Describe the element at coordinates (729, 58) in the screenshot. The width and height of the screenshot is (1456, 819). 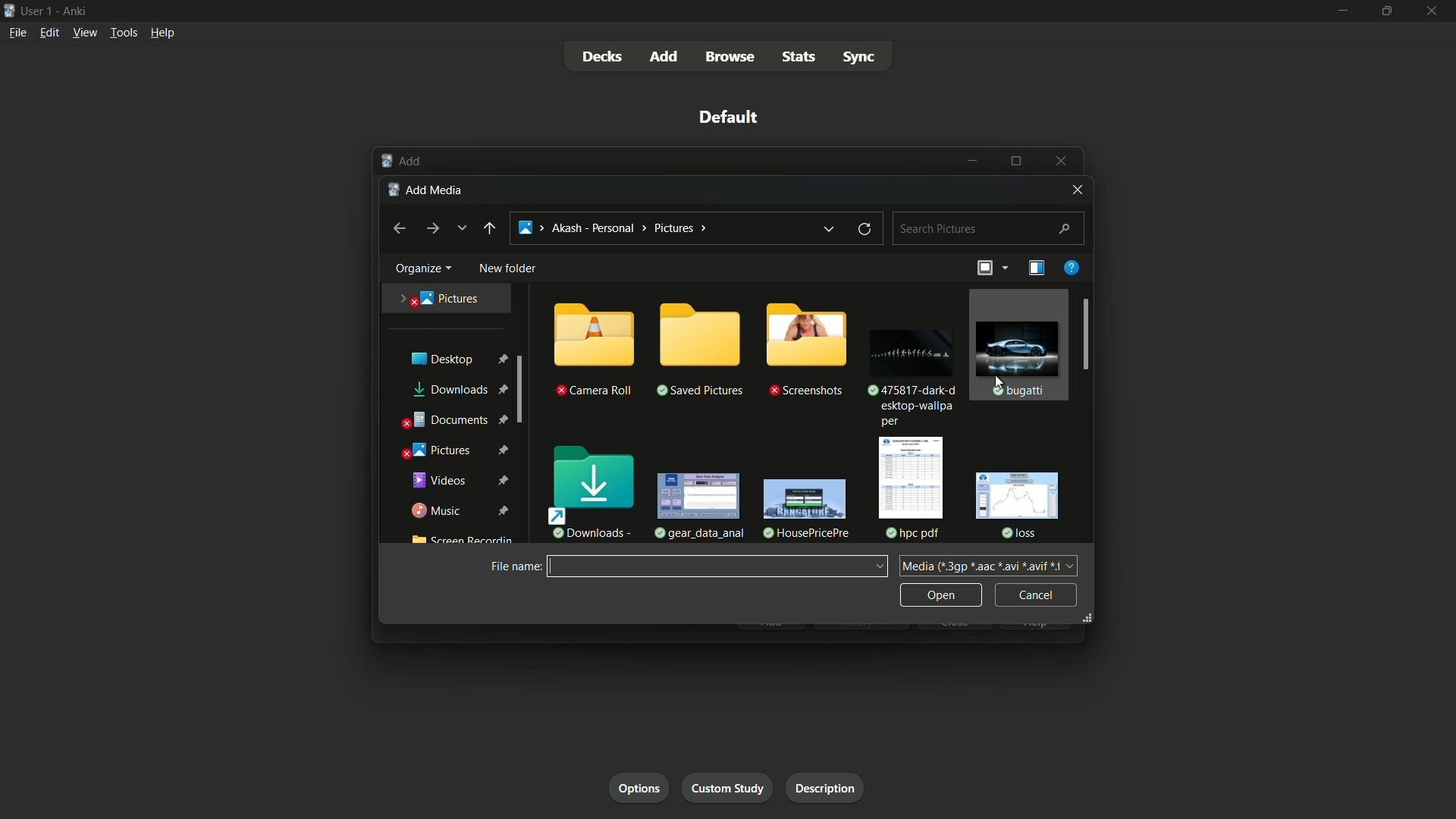
I see `browse` at that location.